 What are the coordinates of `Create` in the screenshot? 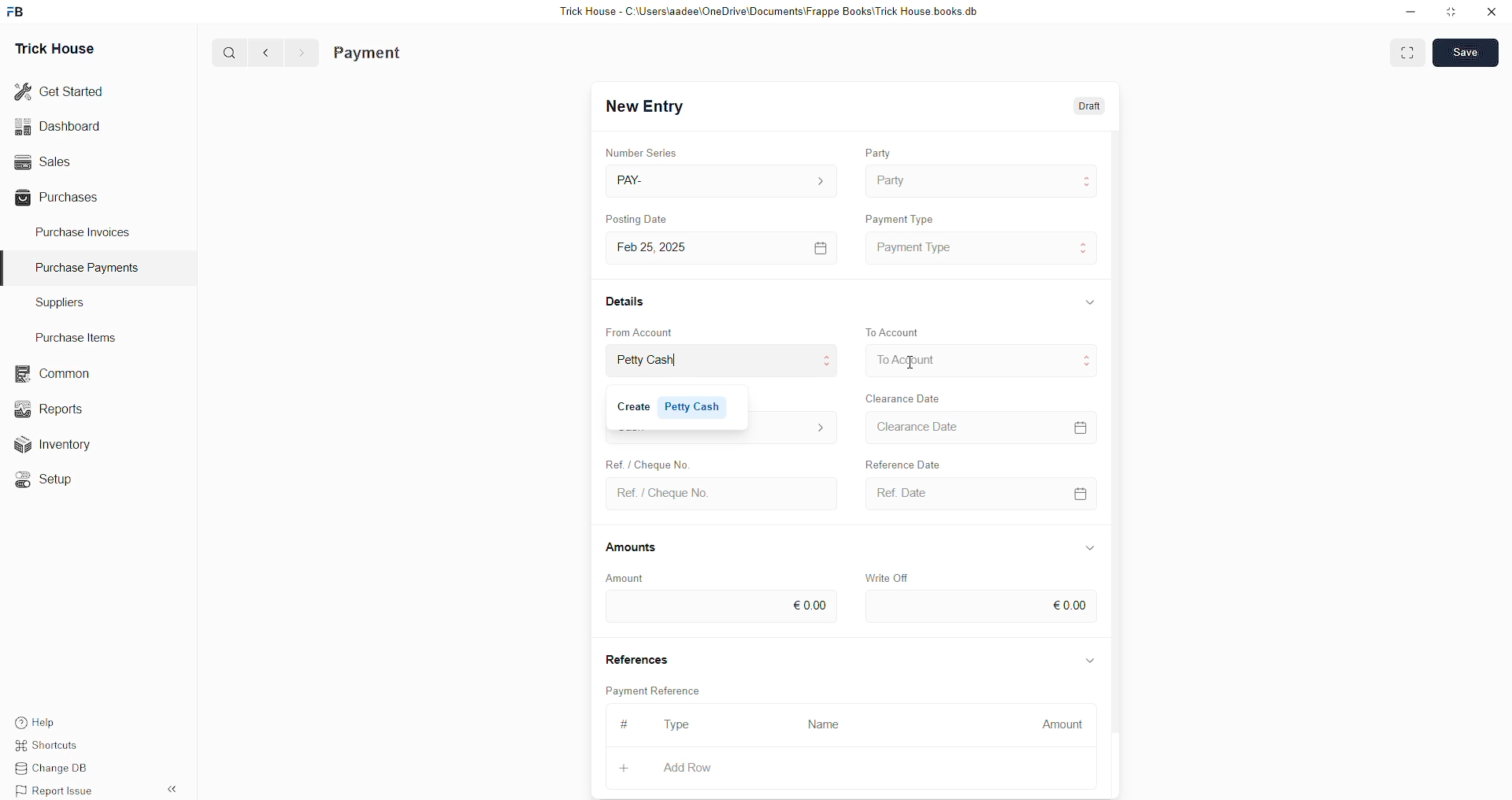 It's located at (645, 461).